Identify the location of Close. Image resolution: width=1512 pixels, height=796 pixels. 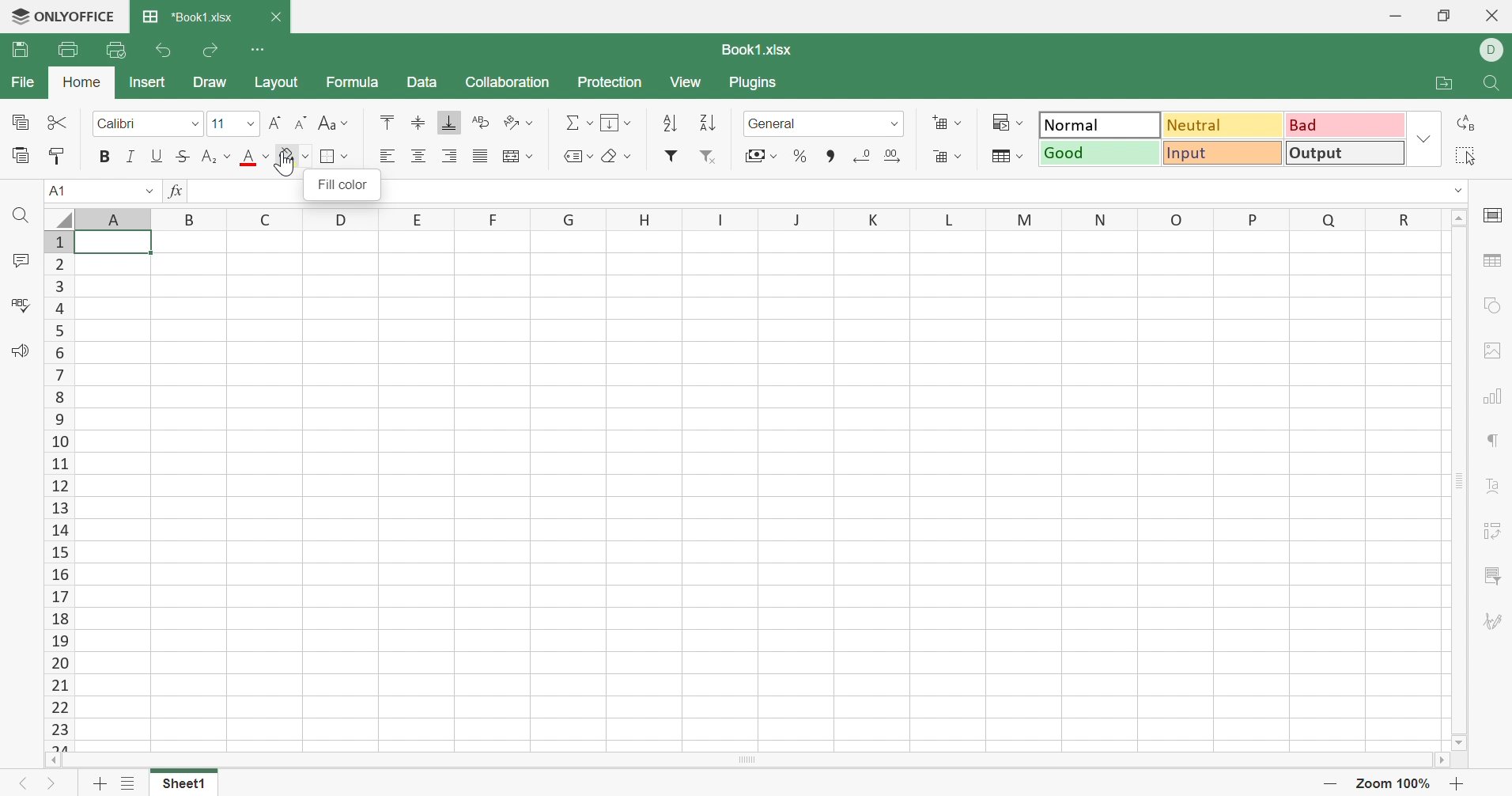
(275, 15).